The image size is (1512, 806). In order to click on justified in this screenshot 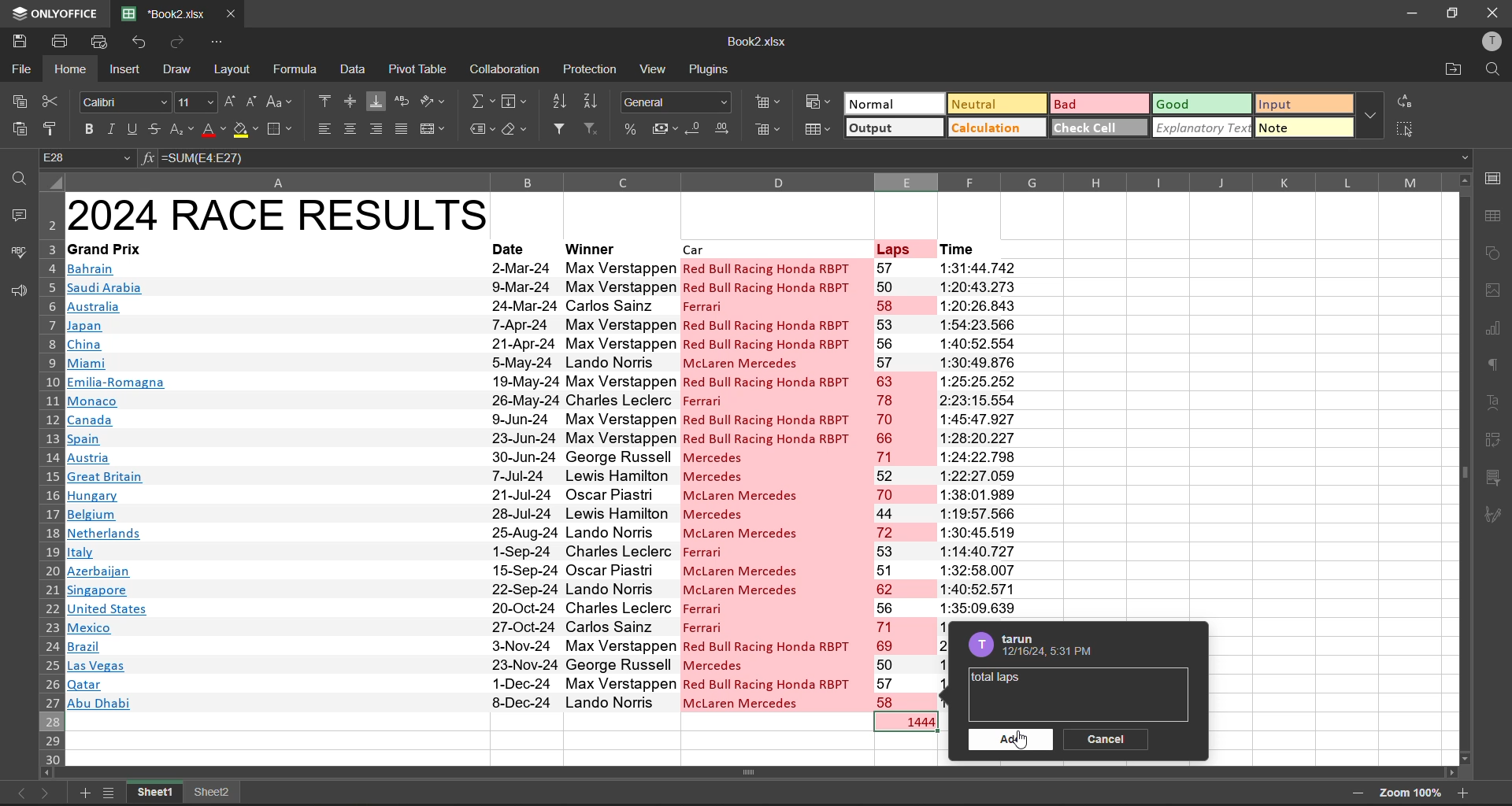, I will do `click(403, 128)`.